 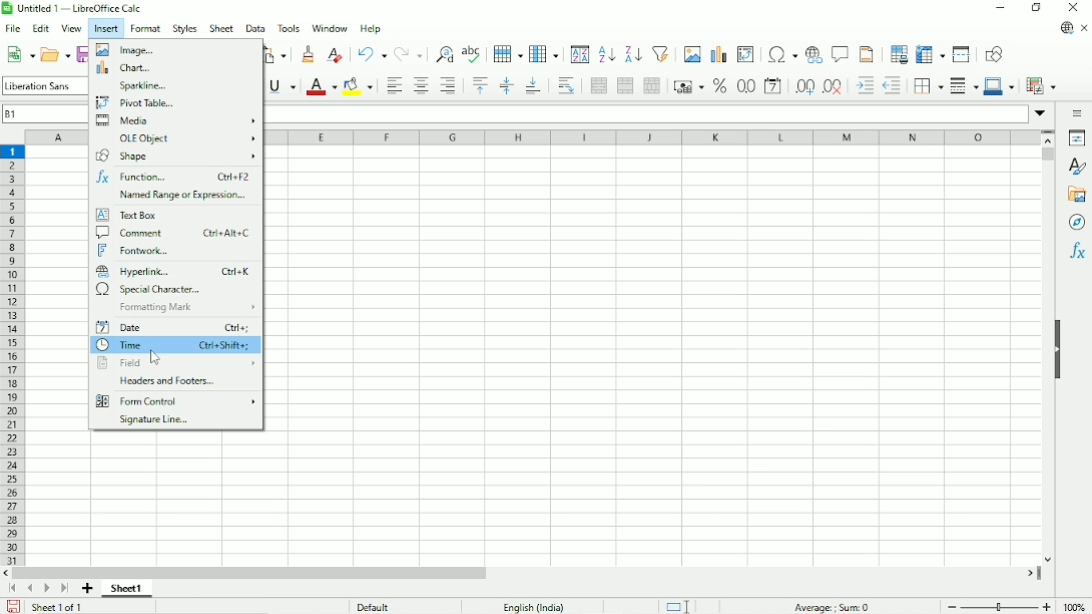 What do you see at coordinates (692, 53) in the screenshot?
I see `Insert image` at bounding box center [692, 53].